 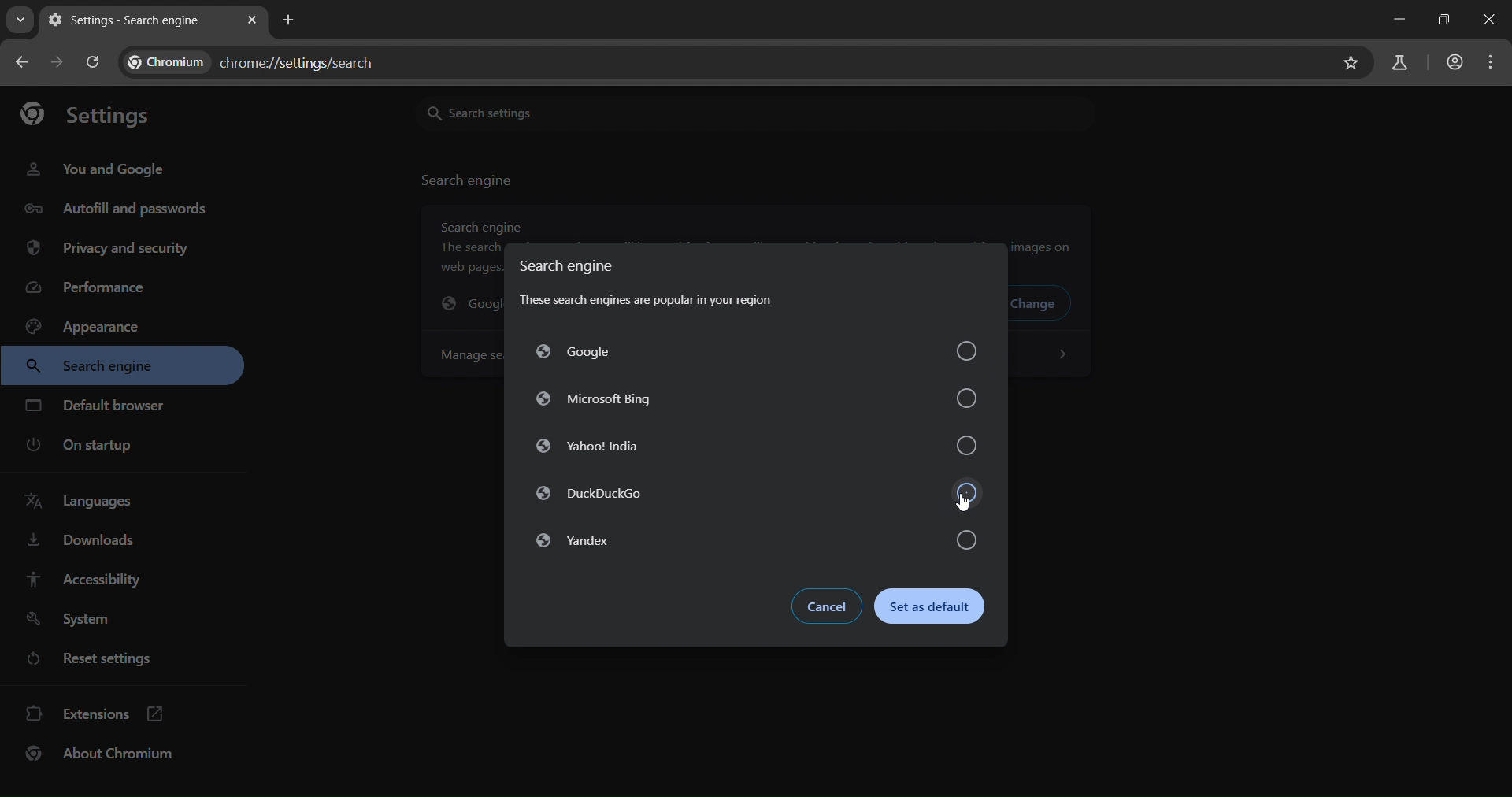 I want to click on search engine, so click(x=98, y=367).